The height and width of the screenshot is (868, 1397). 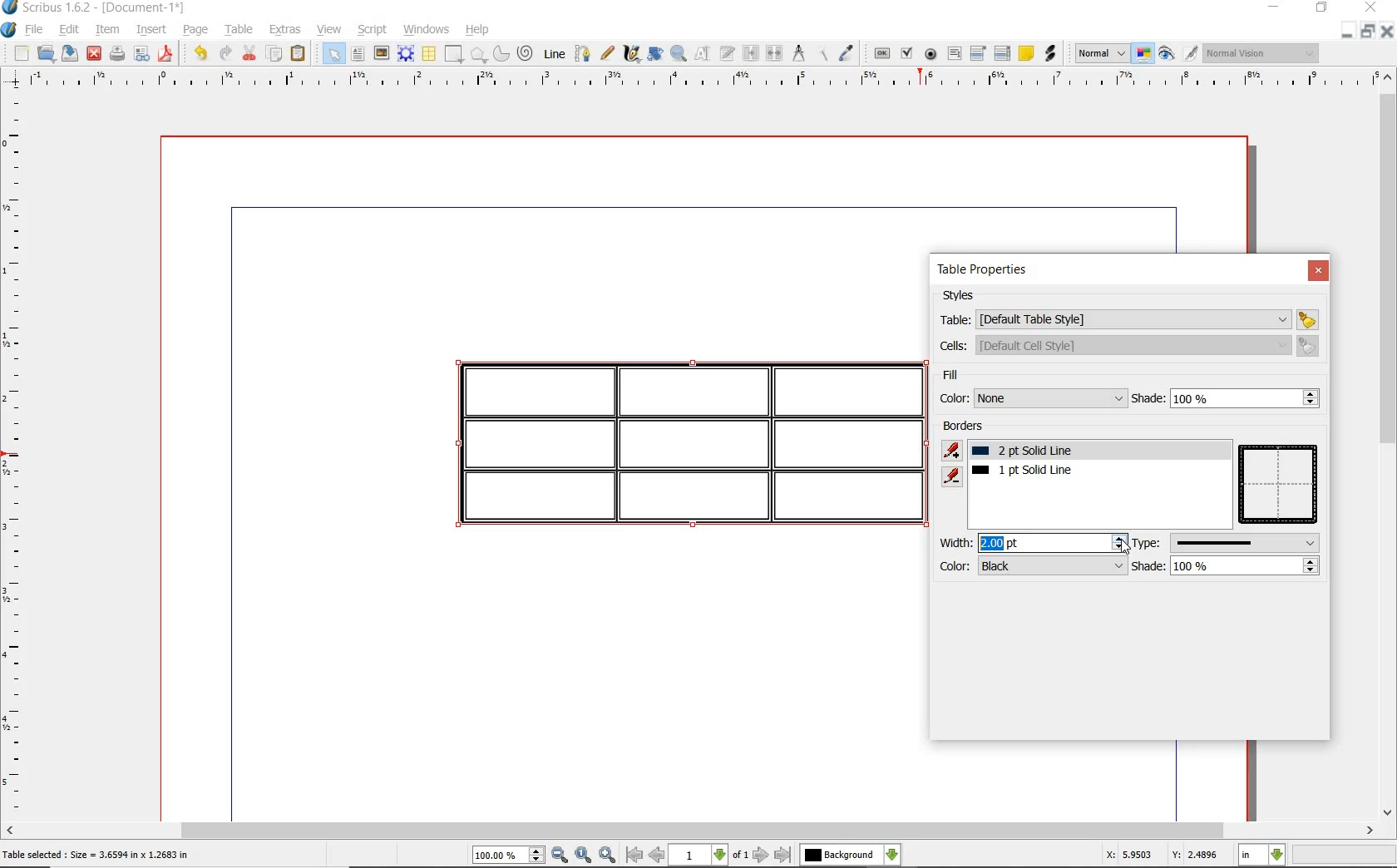 I want to click on save, so click(x=69, y=53).